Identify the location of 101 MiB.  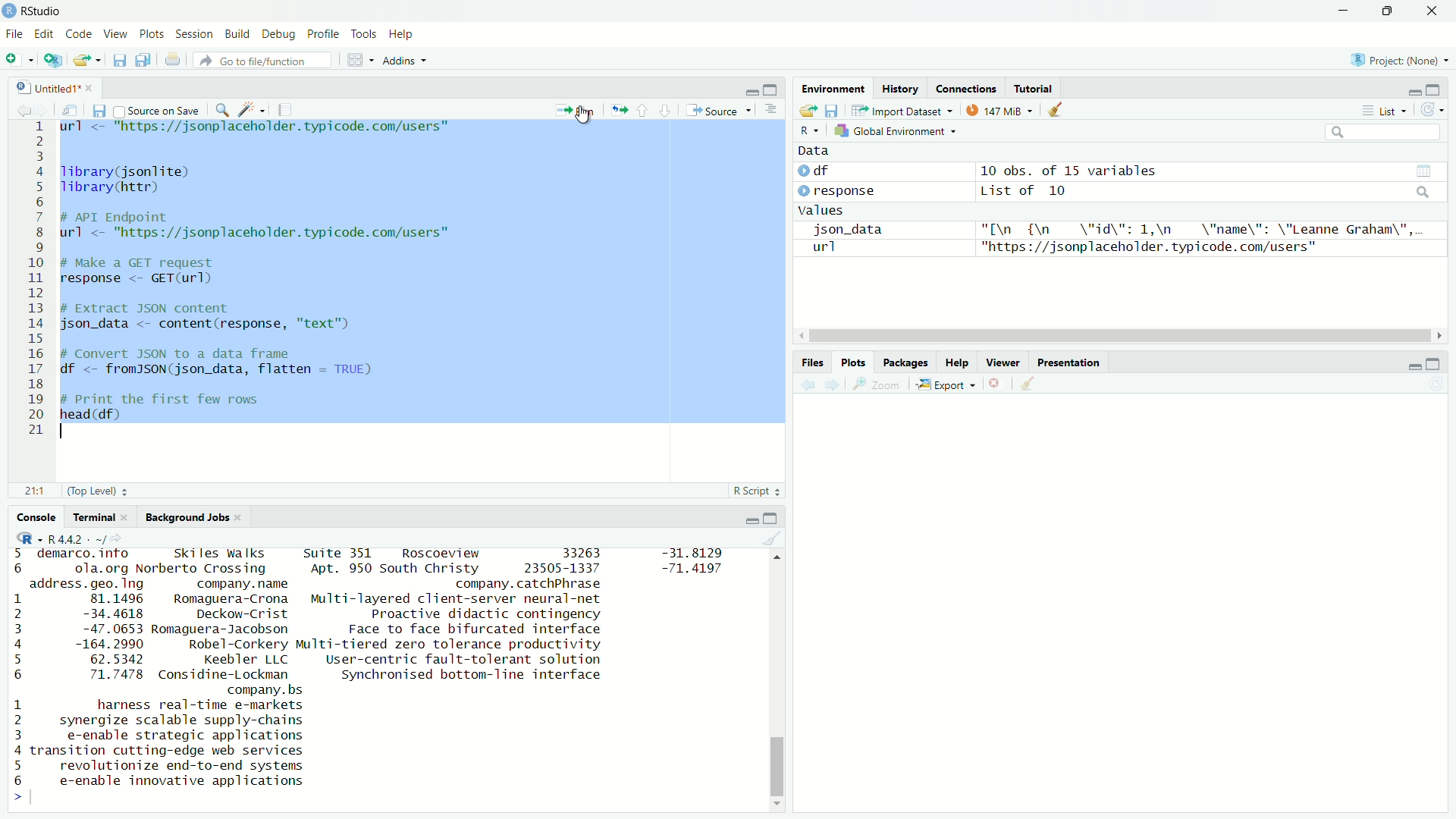
(1001, 111).